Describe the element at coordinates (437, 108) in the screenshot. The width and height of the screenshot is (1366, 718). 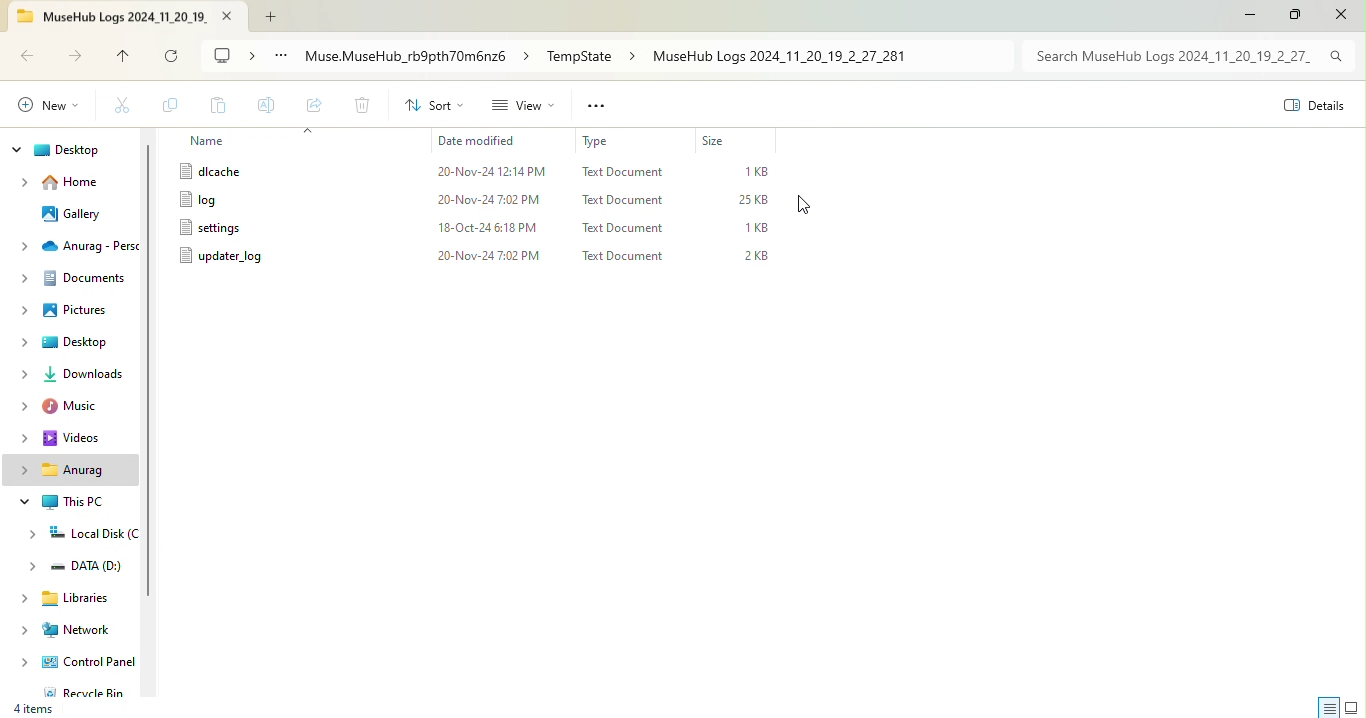
I see `Sort` at that location.